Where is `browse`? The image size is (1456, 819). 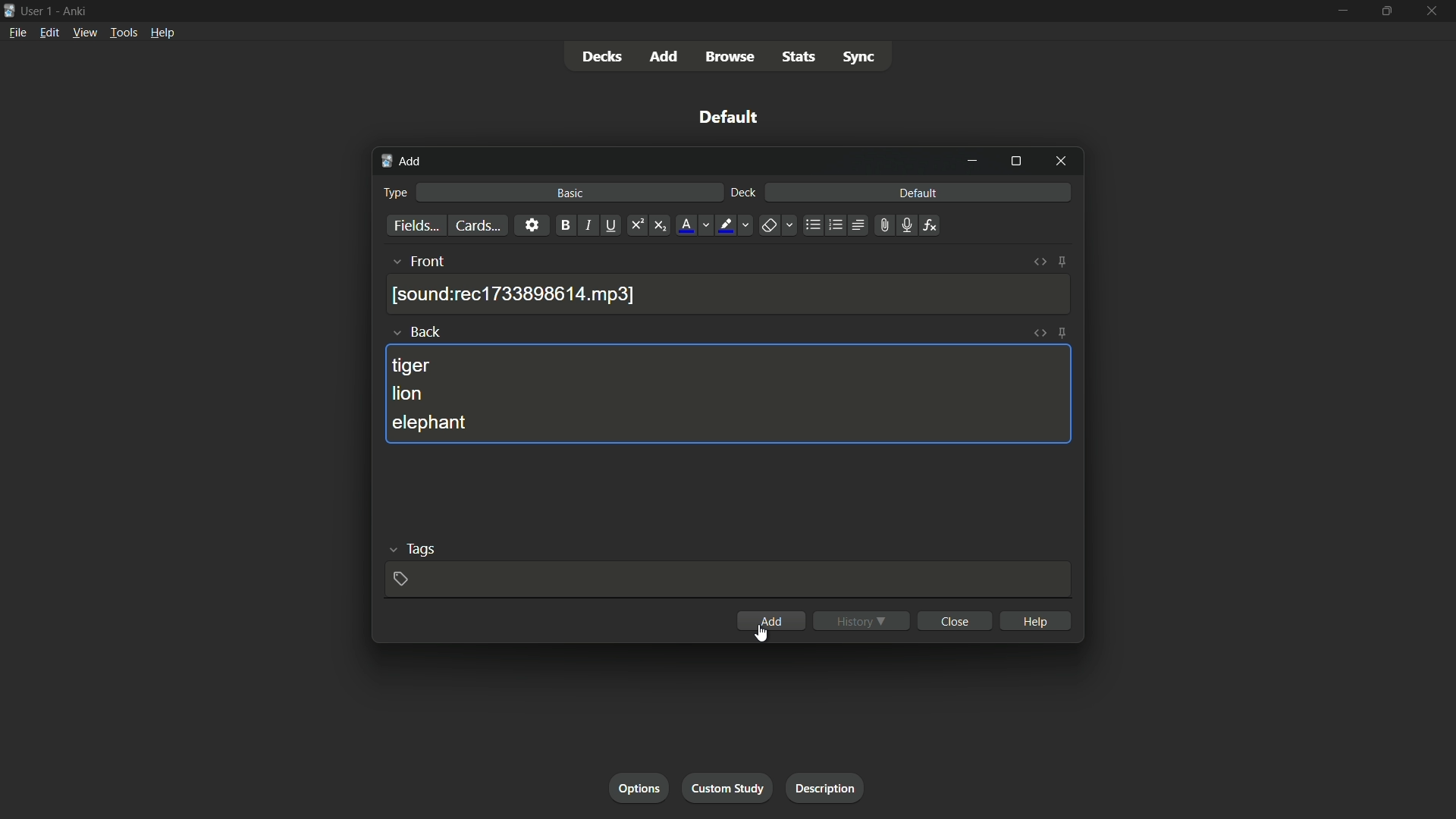 browse is located at coordinates (733, 57).